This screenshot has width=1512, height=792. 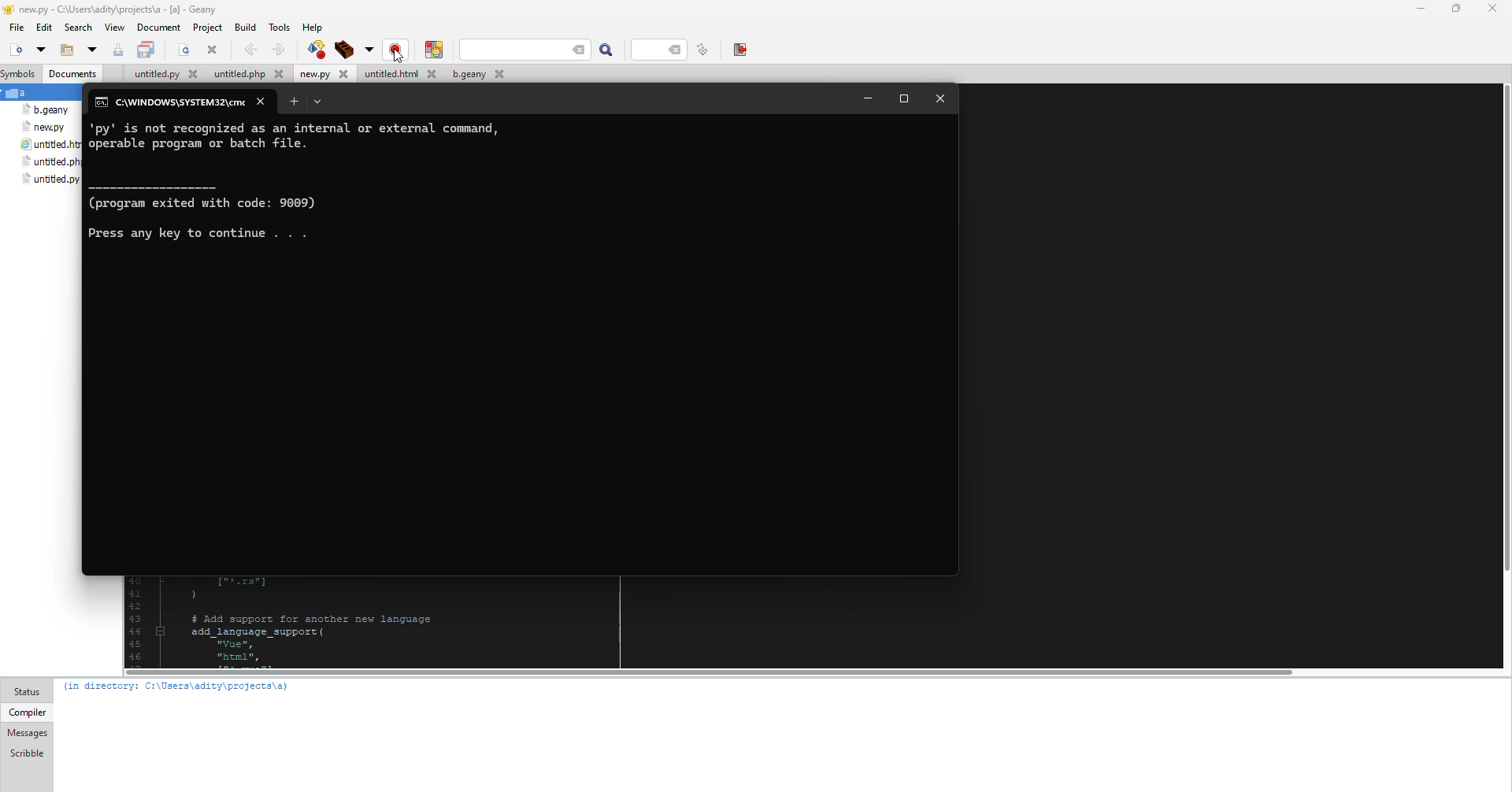 What do you see at coordinates (14, 50) in the screenshot?
I see `new` at bounding box center [14, 50].